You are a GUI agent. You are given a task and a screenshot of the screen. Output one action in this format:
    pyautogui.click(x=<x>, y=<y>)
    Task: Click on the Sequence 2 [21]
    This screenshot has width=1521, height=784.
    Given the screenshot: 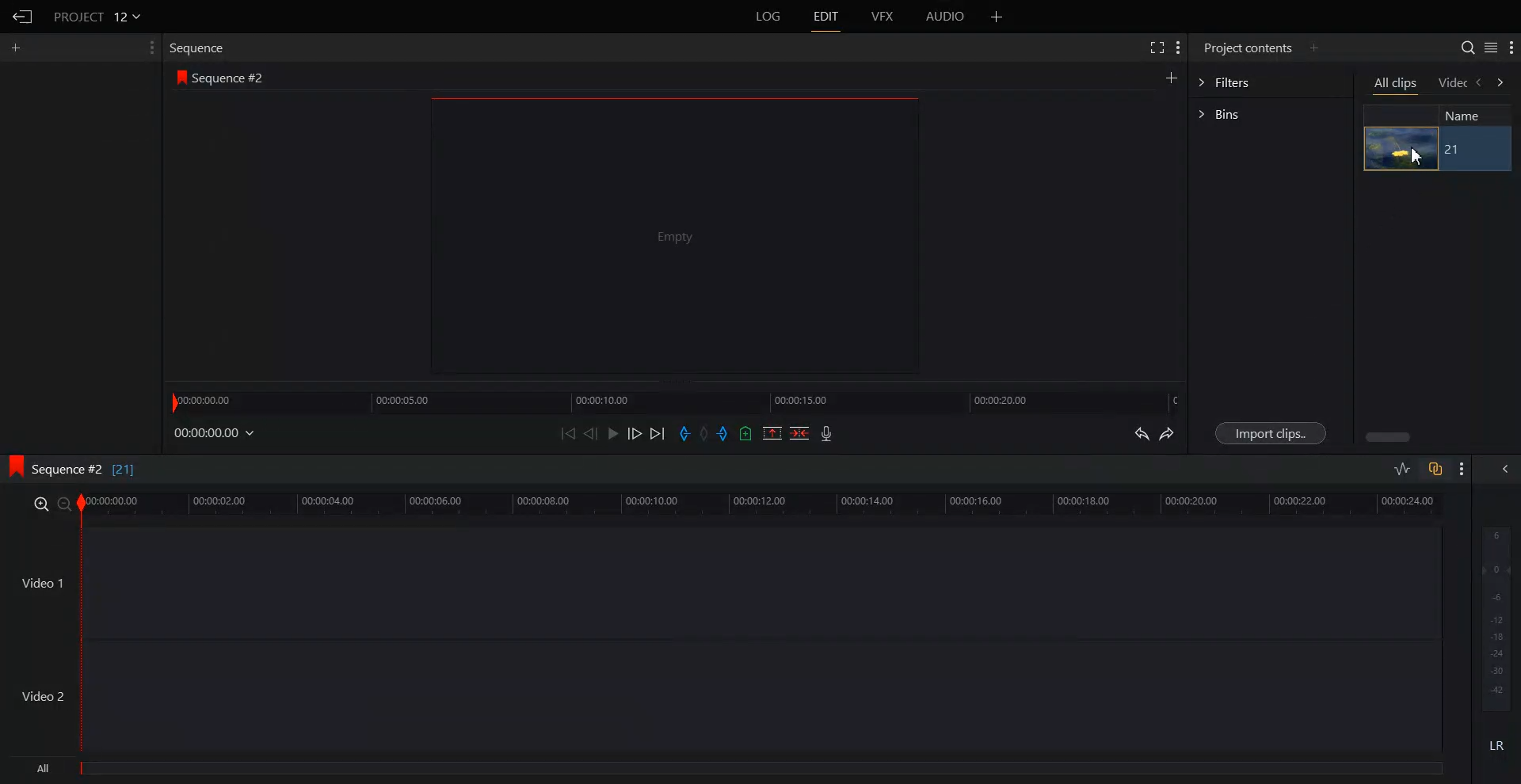 What is the action you would take?
    pyautogui.click(x=94, y=471)
    